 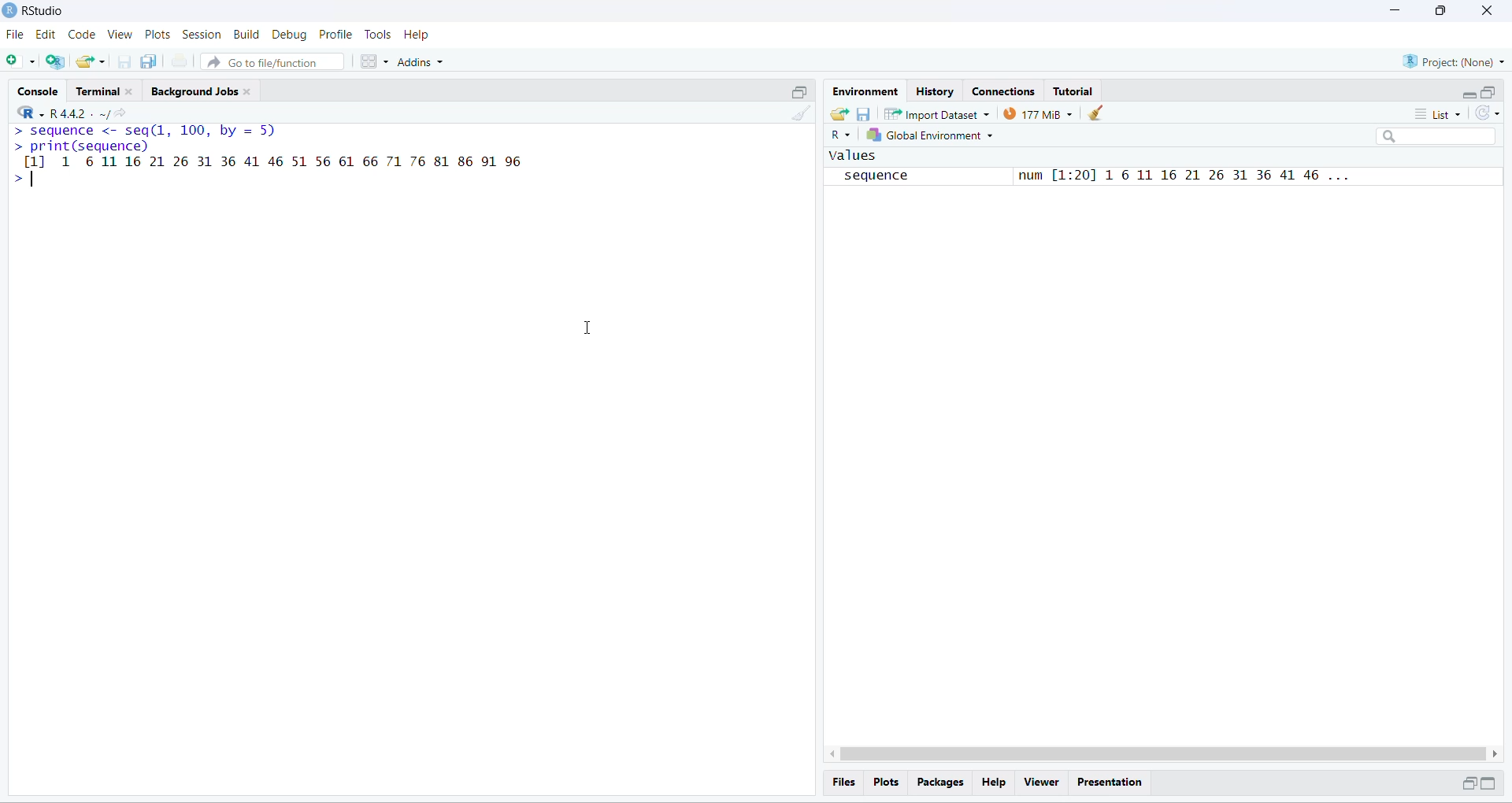 I want to click on open in separate window, so click(x=1490, y=92).